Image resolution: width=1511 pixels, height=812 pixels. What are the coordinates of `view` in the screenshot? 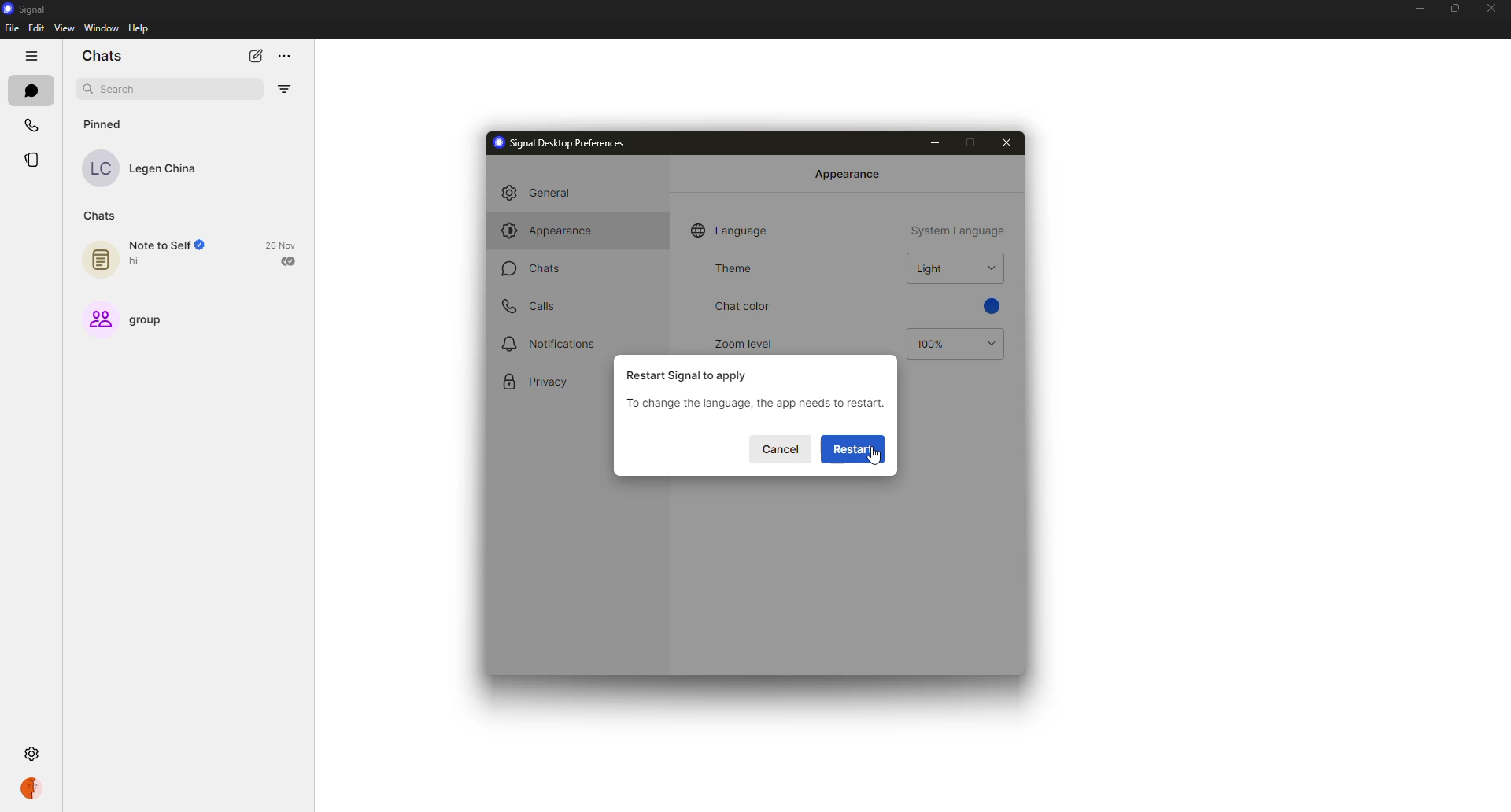 It's located at (63, 30).